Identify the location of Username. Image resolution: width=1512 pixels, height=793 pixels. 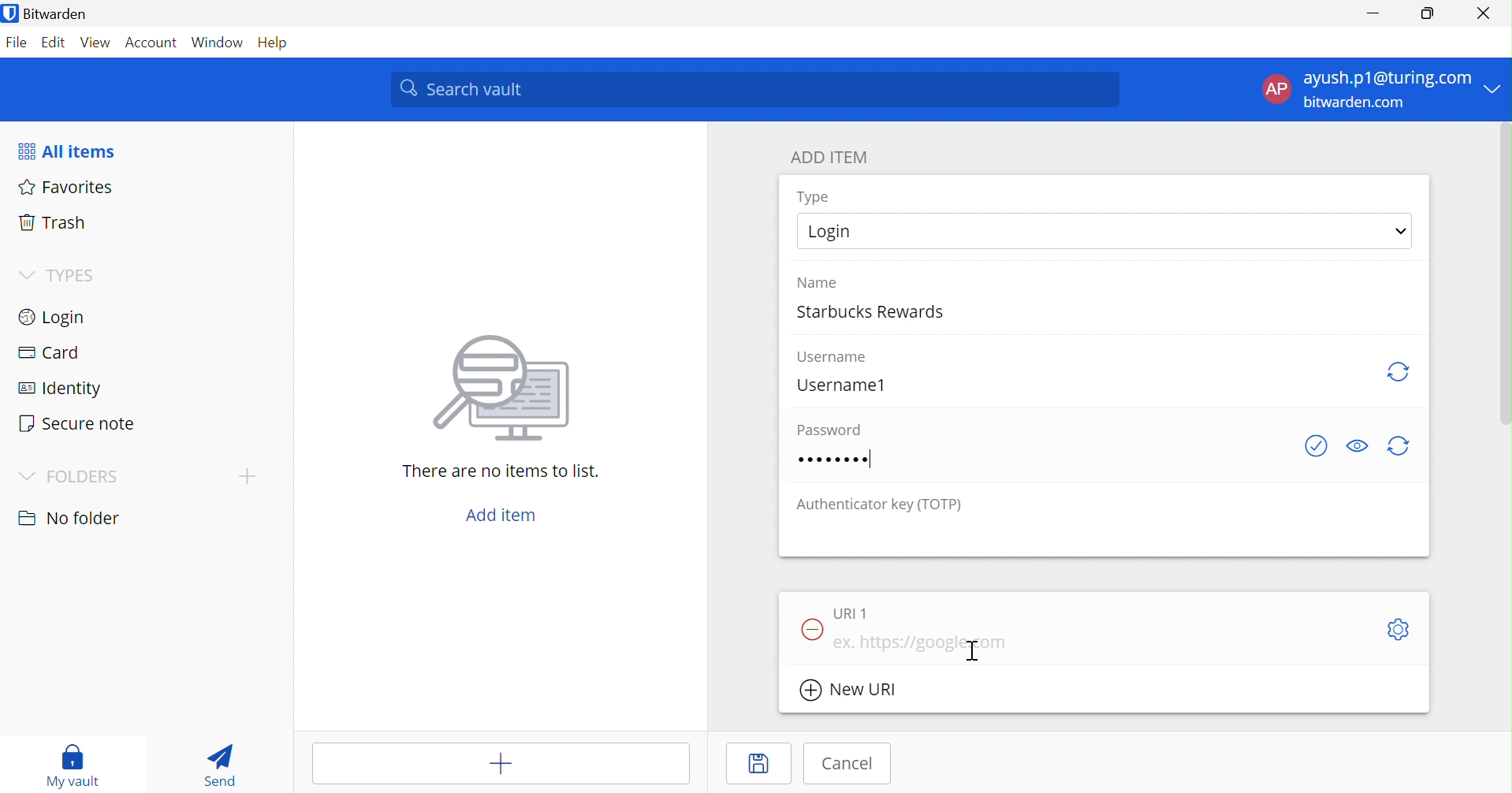
(836, 357).